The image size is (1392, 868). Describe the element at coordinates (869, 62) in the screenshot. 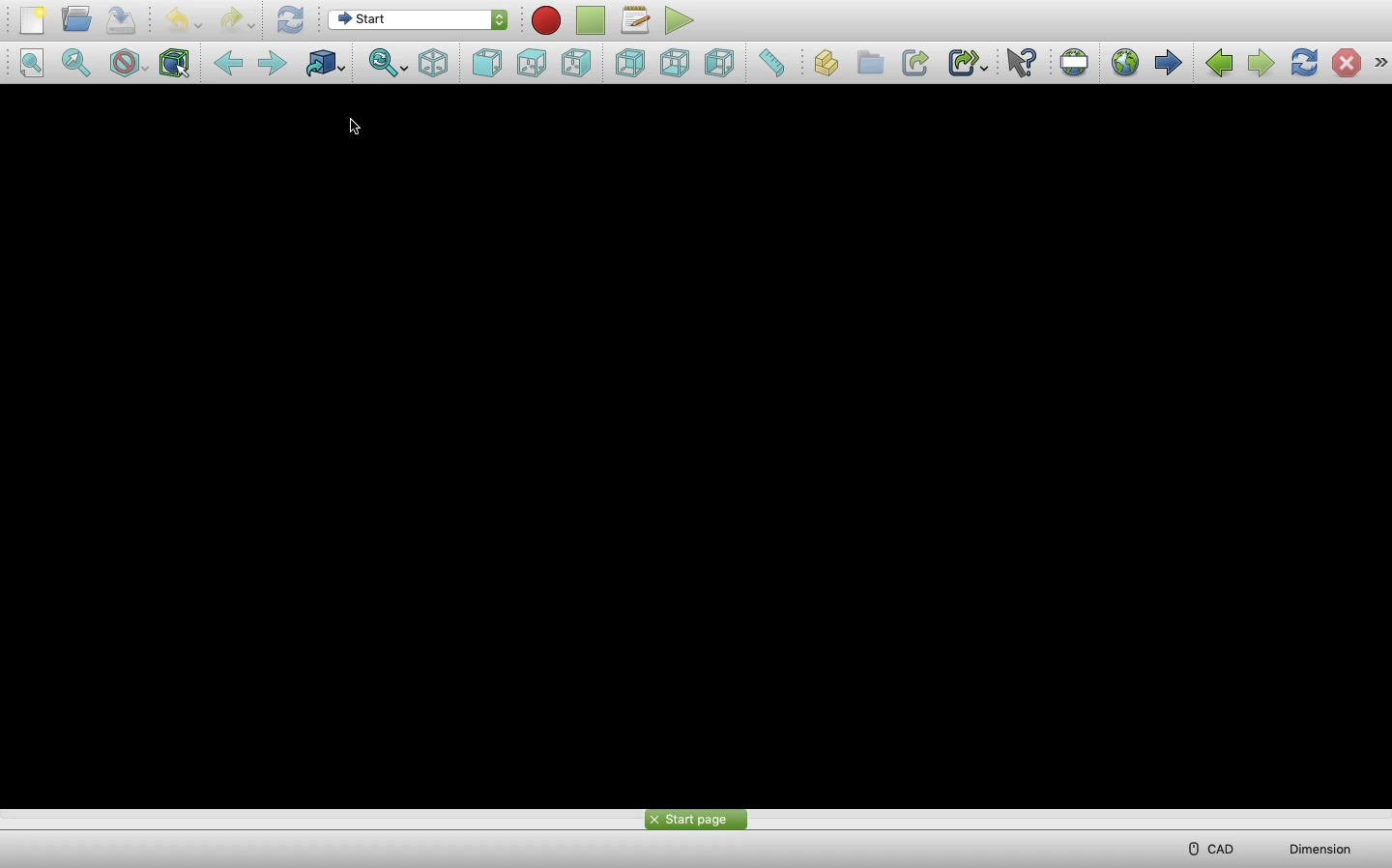

I see `Create Group` at that location.